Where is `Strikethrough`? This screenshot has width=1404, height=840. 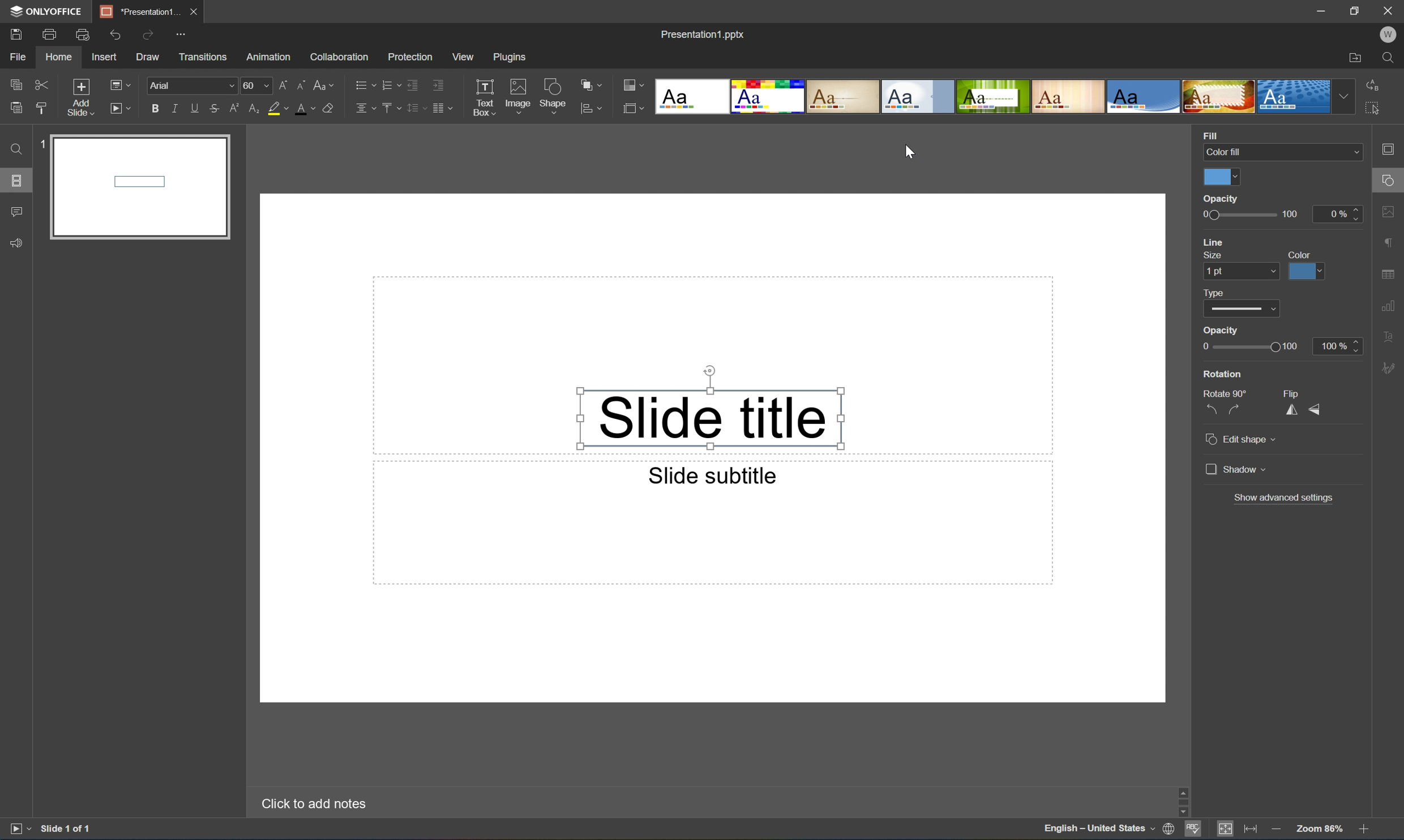 Strikethrough is located at coordinates (214, 110).